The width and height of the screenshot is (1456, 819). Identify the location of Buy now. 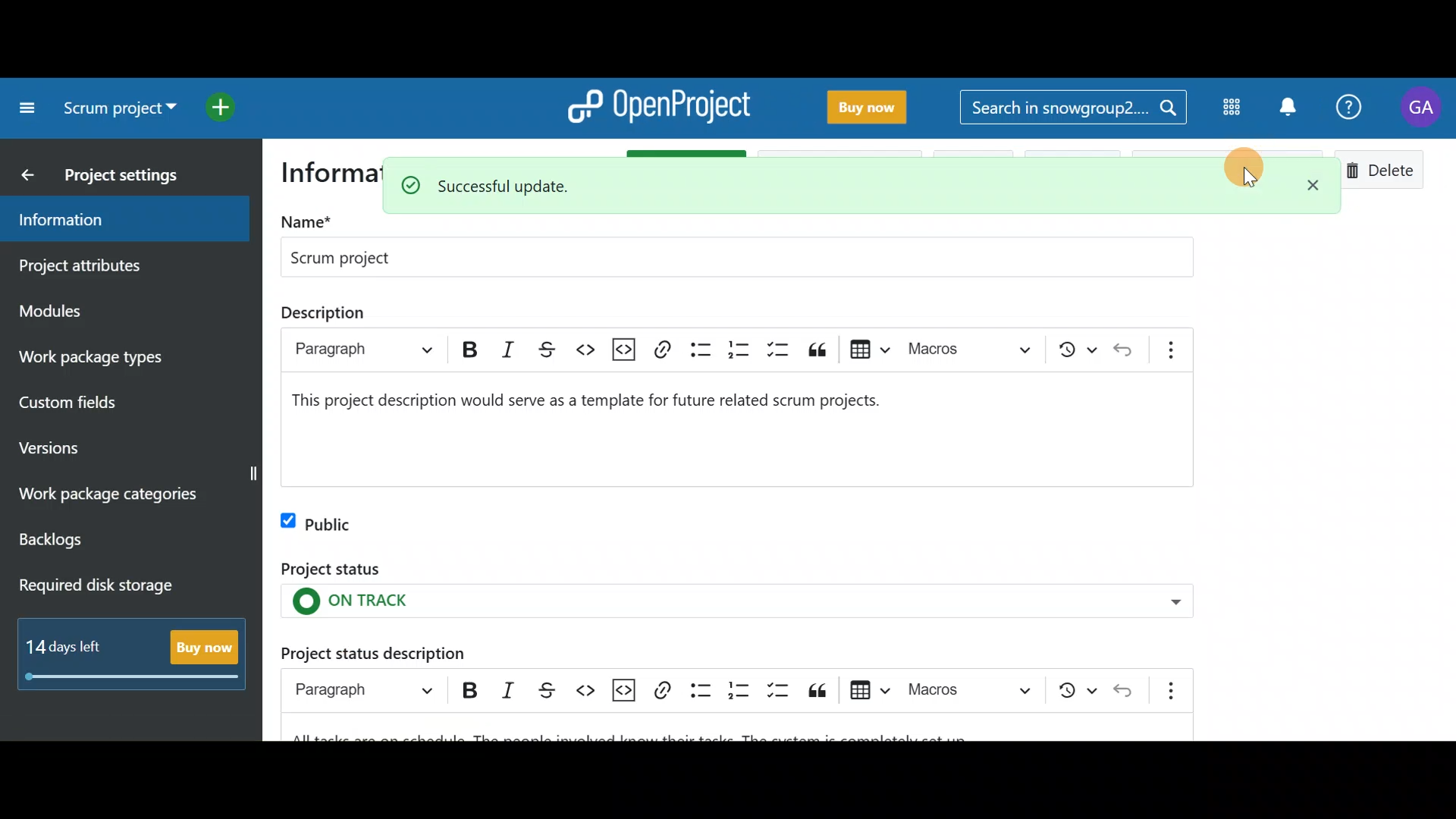
(870, 108).